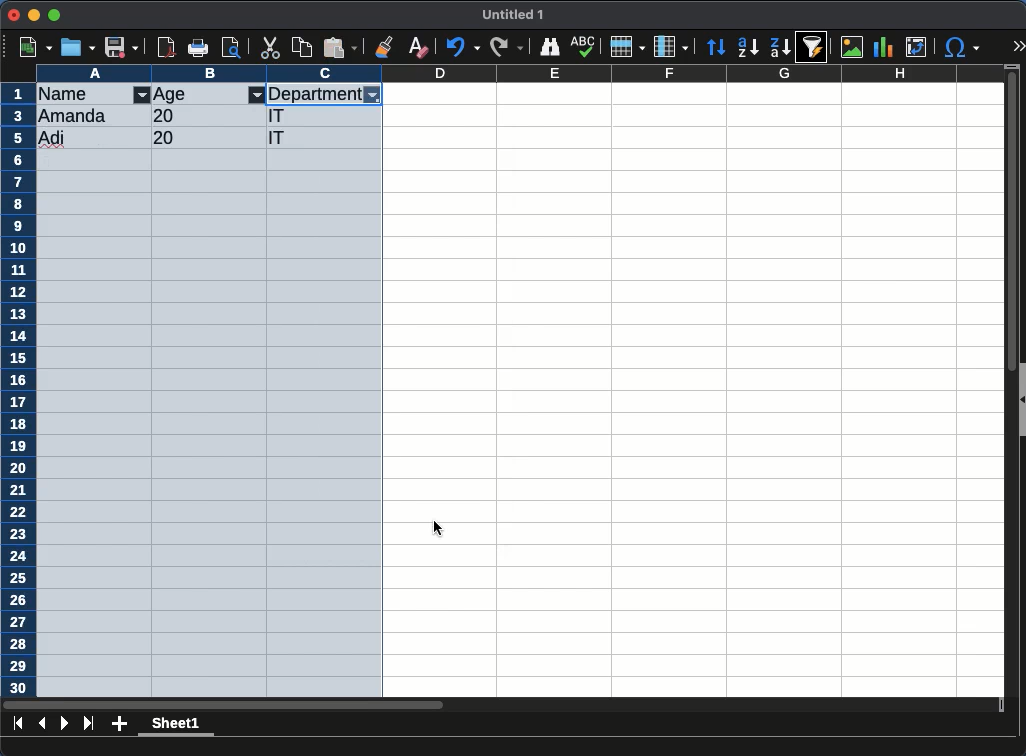 This screenshot has height=756, width=1026. Describe the element at coordinates (386, 46) in the screenshot. I see `clone formatting` at that location.